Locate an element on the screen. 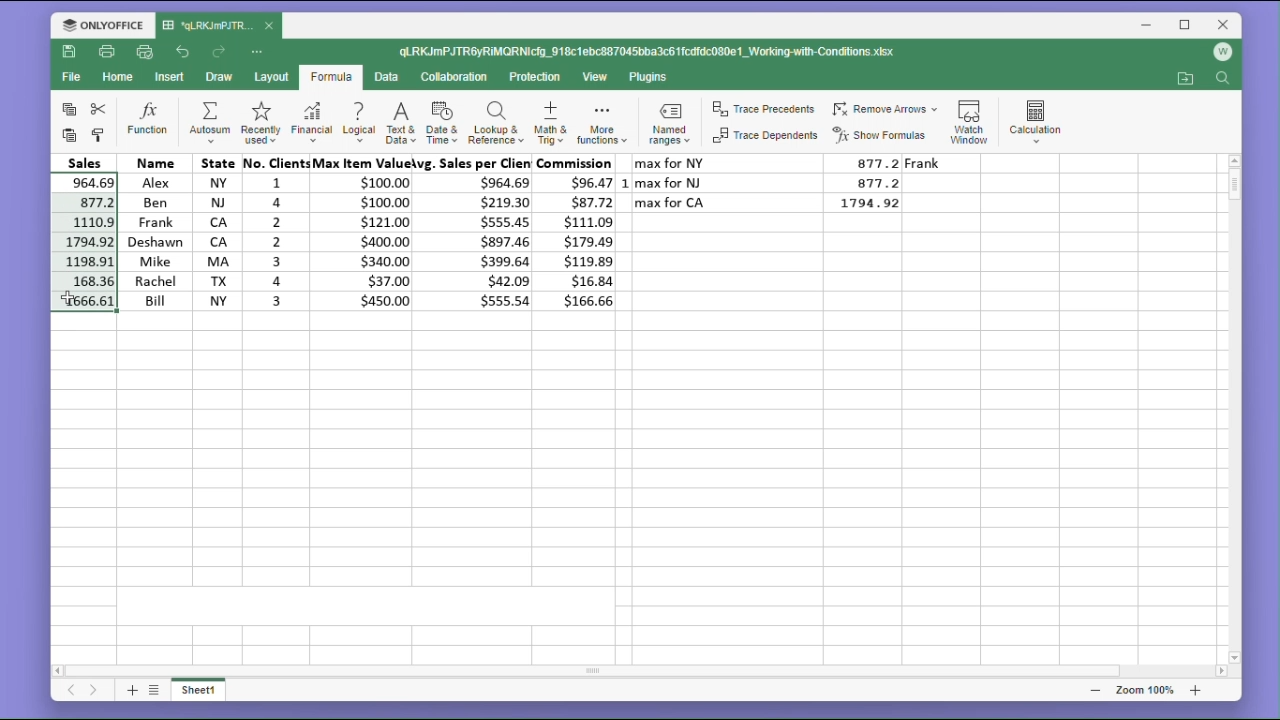 The height and width of the screenshot is (720, 1280). add sheet is located at coordinates (130, 690).